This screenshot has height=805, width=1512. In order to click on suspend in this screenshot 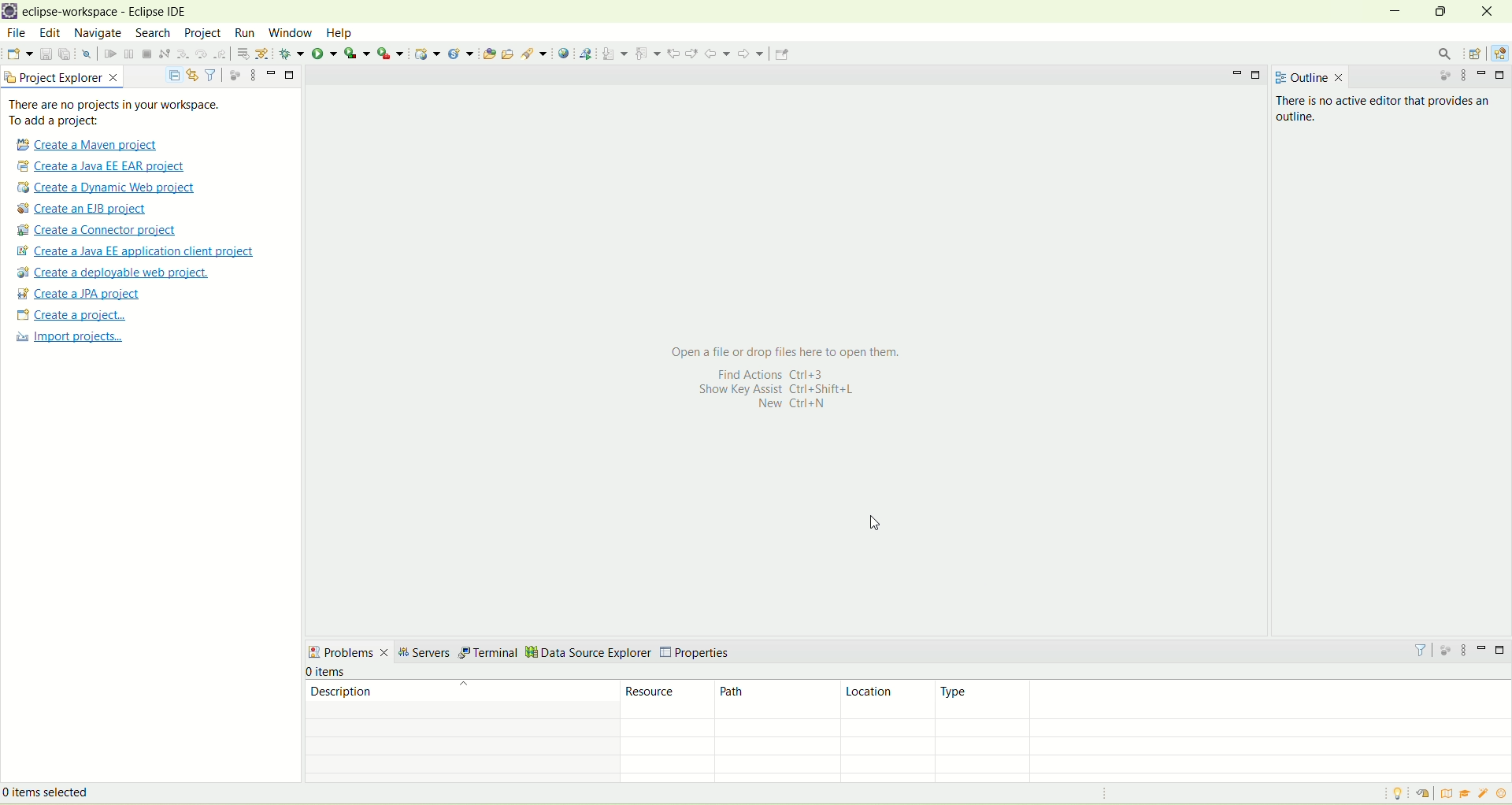, I will do `click(190, 55)`.